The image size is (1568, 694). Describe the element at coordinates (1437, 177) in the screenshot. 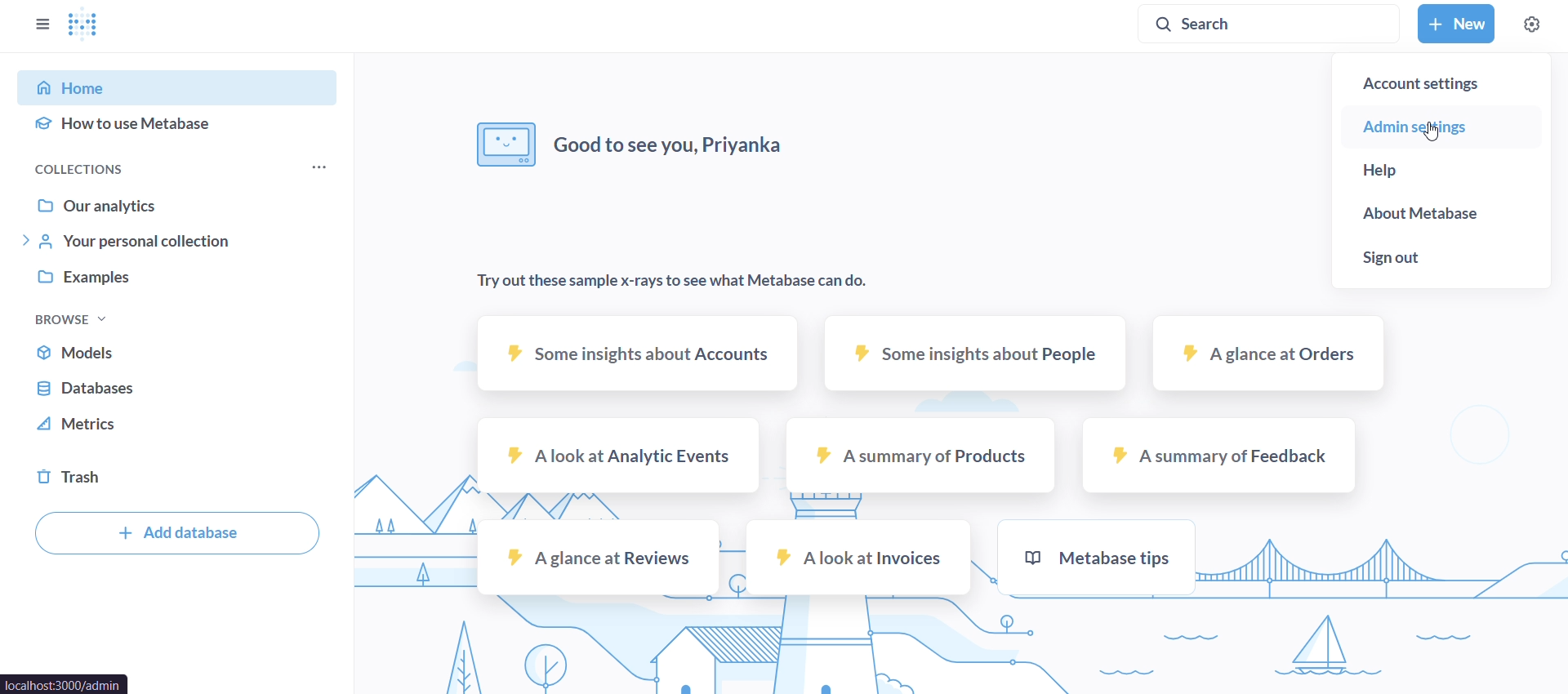

I see `help` at that location.